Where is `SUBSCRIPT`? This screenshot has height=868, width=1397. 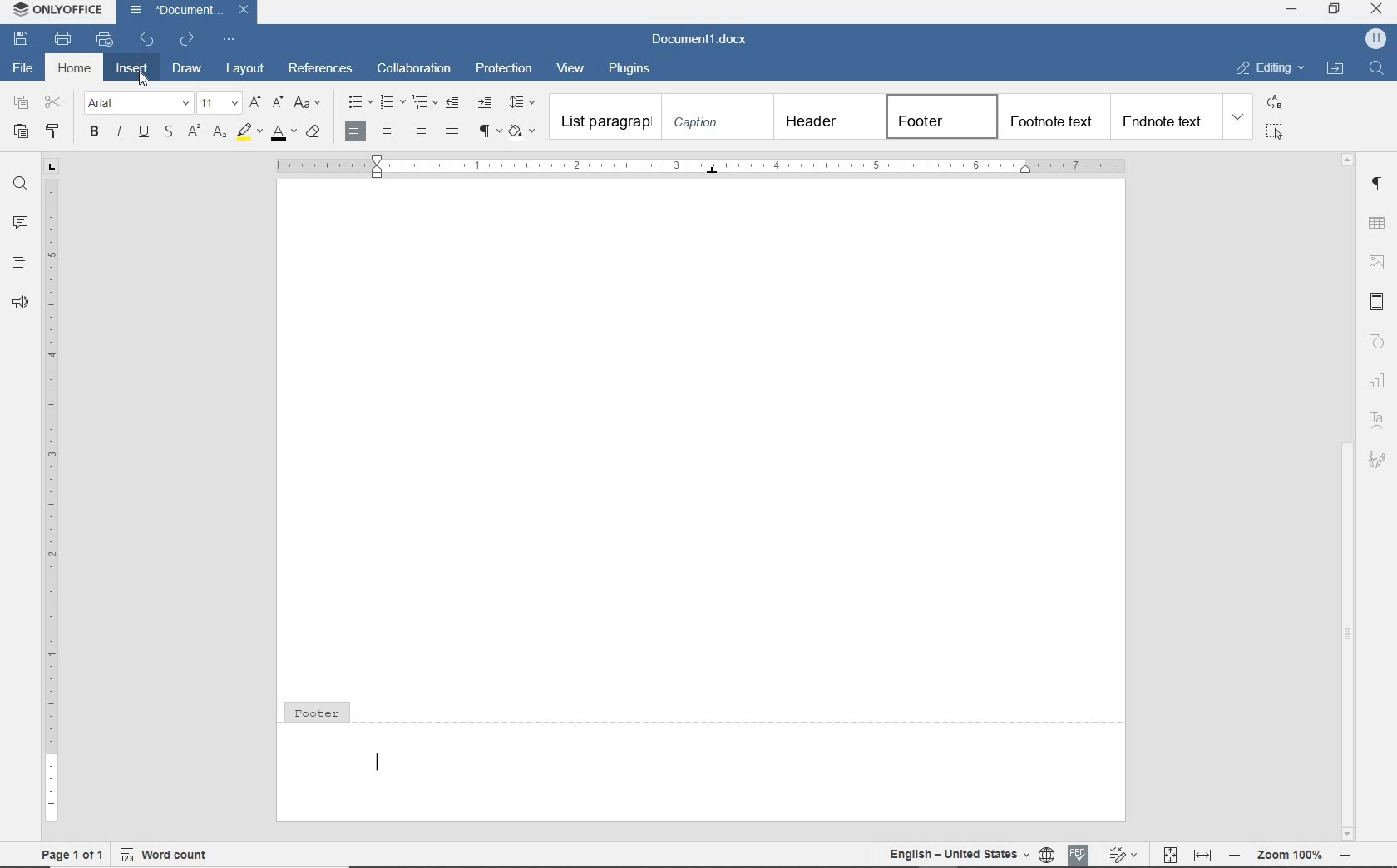 SUBSCRIPT is located at coordinates (220, 132).